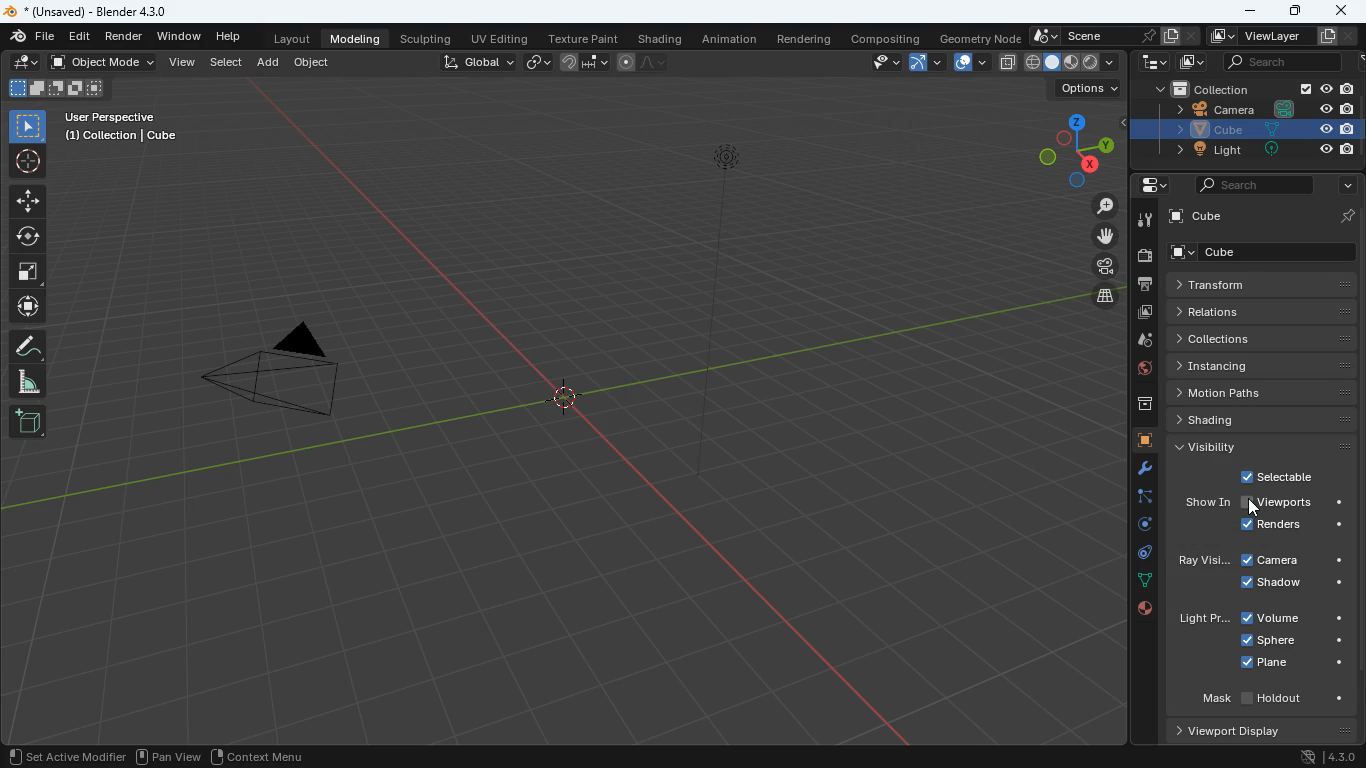 The width and height of the screenshot is (1366, 768). What do you see at coordinates (1140, 579) in the screenshot?
I see `connections` at bounding box center [1140, 579].